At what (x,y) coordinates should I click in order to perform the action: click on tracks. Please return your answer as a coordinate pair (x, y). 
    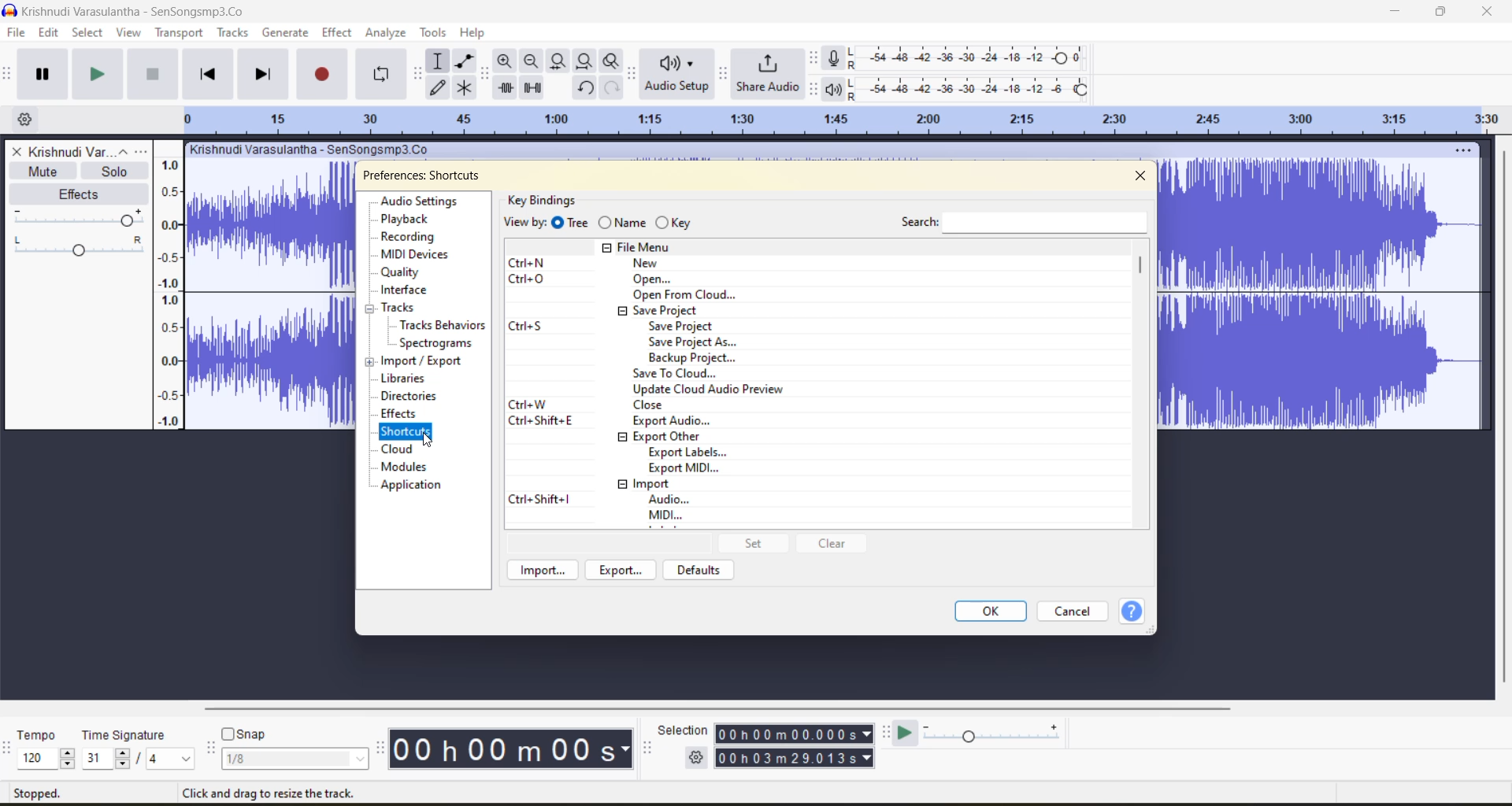
    Looking at the image, I should click on (407, 309).